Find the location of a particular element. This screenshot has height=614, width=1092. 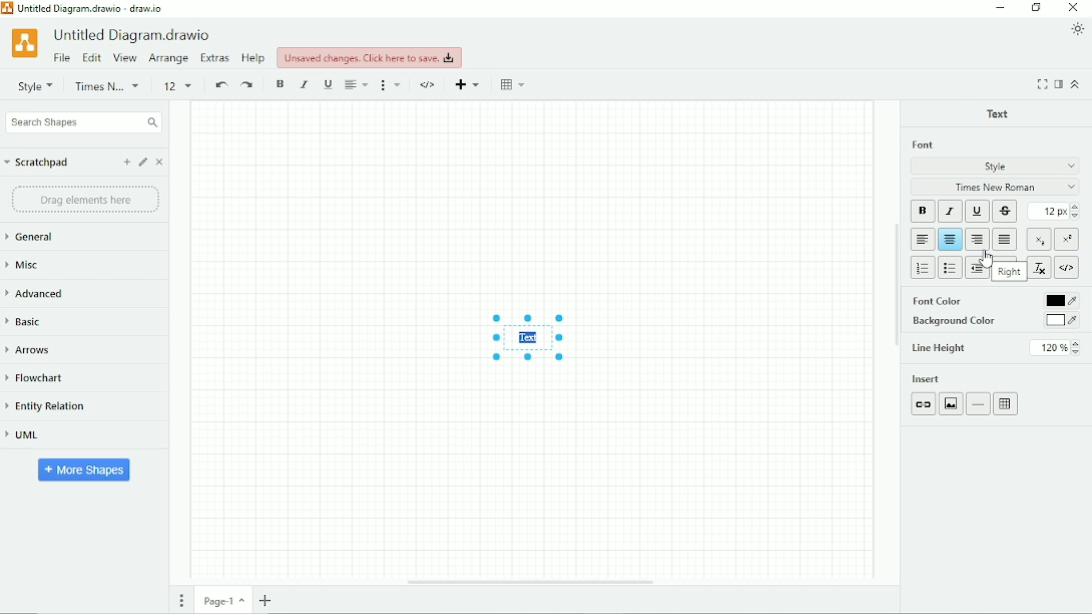

Center is located at coordinates (950, 240).